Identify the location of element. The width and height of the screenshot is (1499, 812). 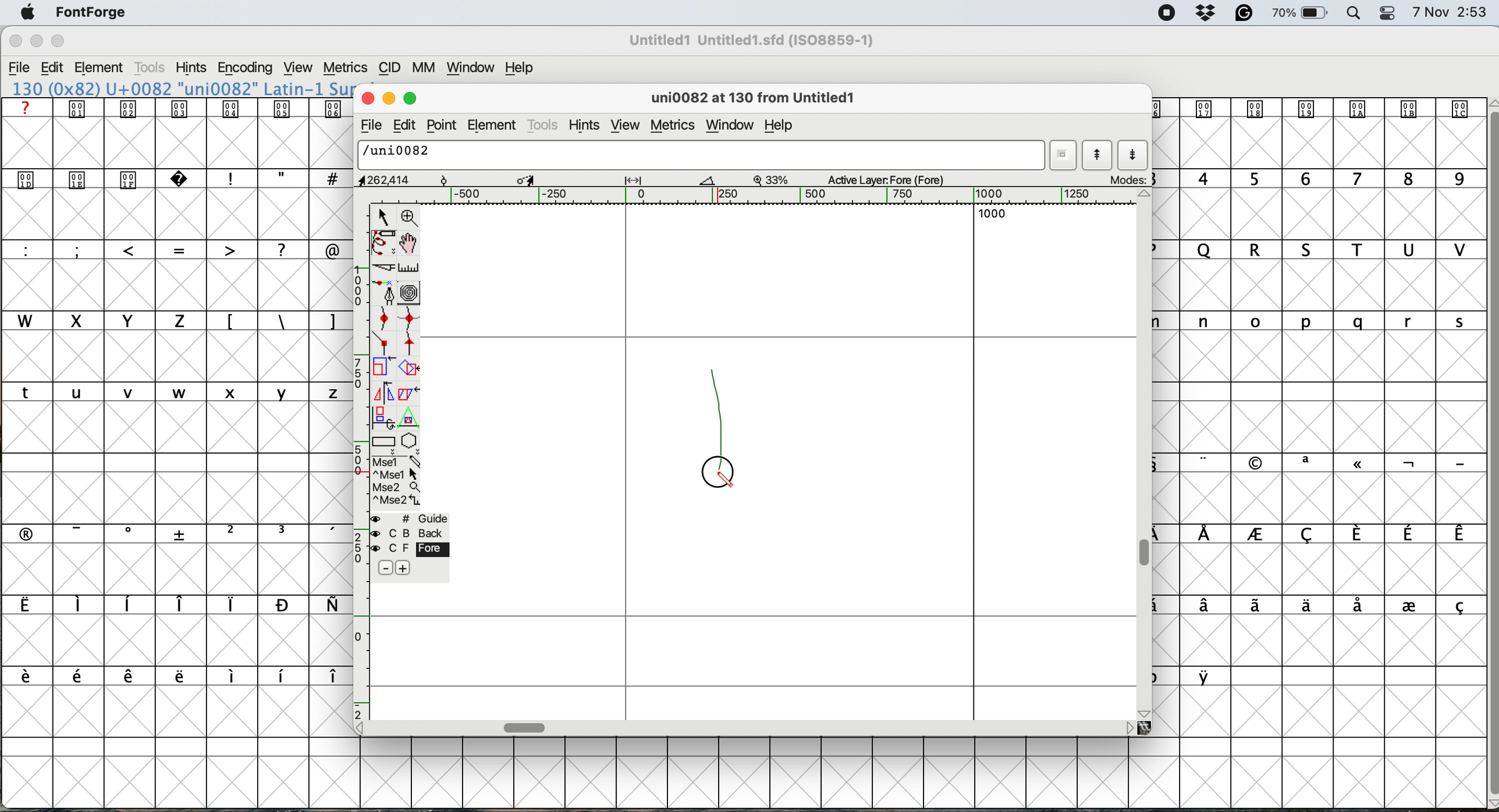
(493, 126).